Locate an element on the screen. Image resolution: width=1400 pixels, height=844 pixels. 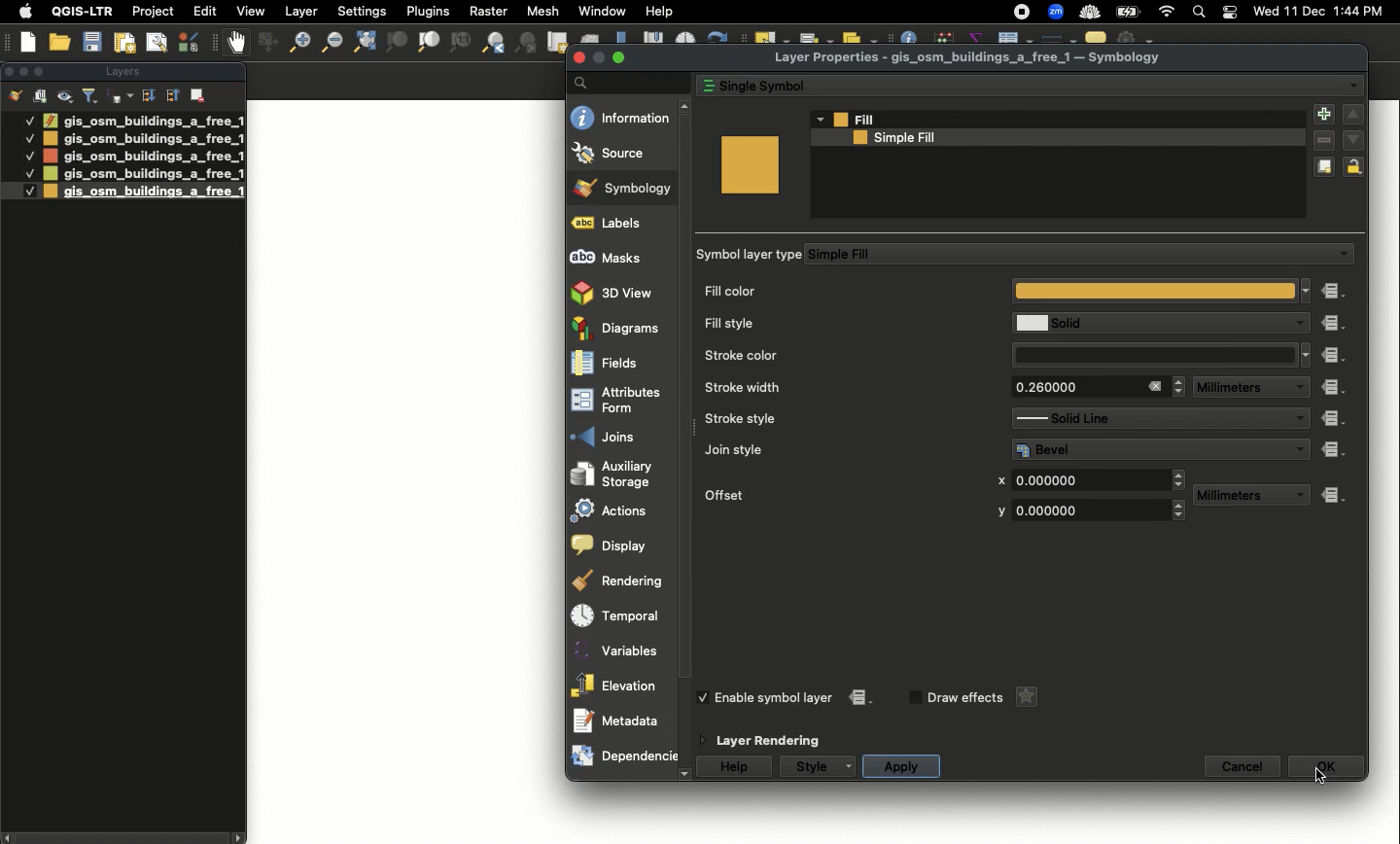
Edit is located at coordinates (205, 11).